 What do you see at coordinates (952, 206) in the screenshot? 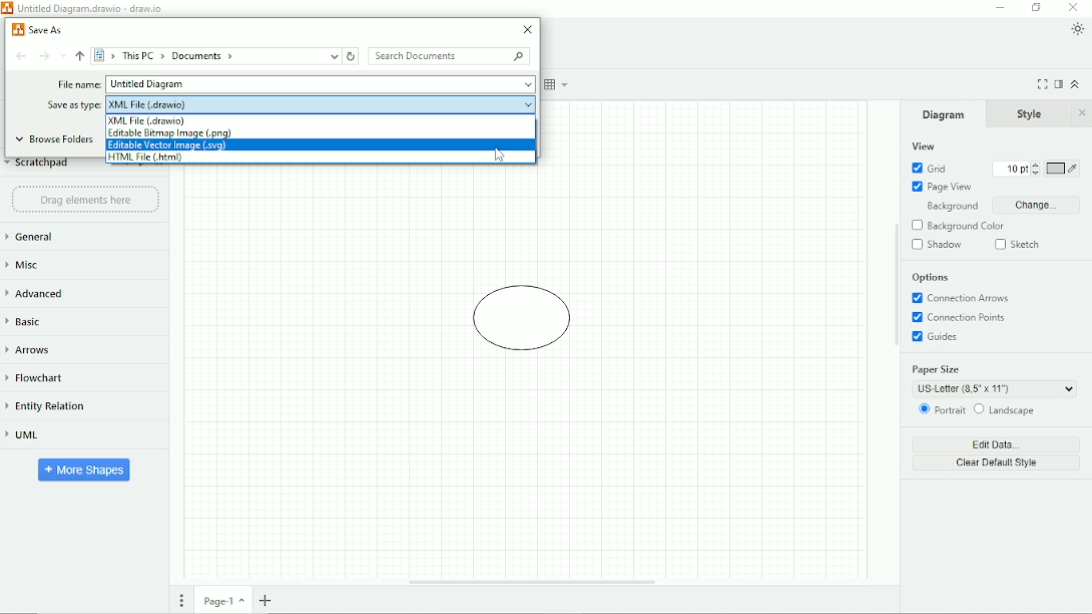
I see `Background` at bounding box center [952, 206].